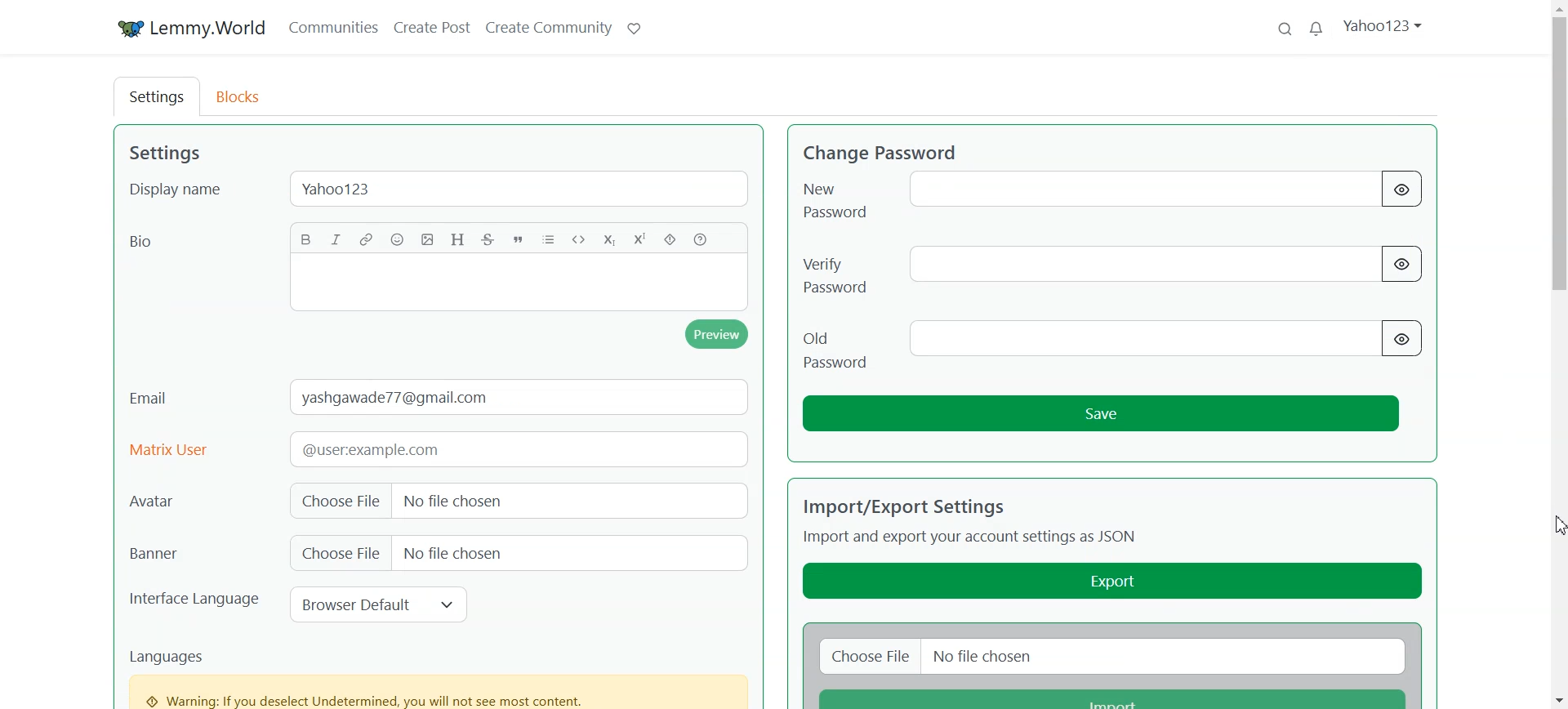 This screenshot has height=709, width=1568. Describe the element at coordinates (1140, 337) in the screenshot. I see `Enter old password` at that location.